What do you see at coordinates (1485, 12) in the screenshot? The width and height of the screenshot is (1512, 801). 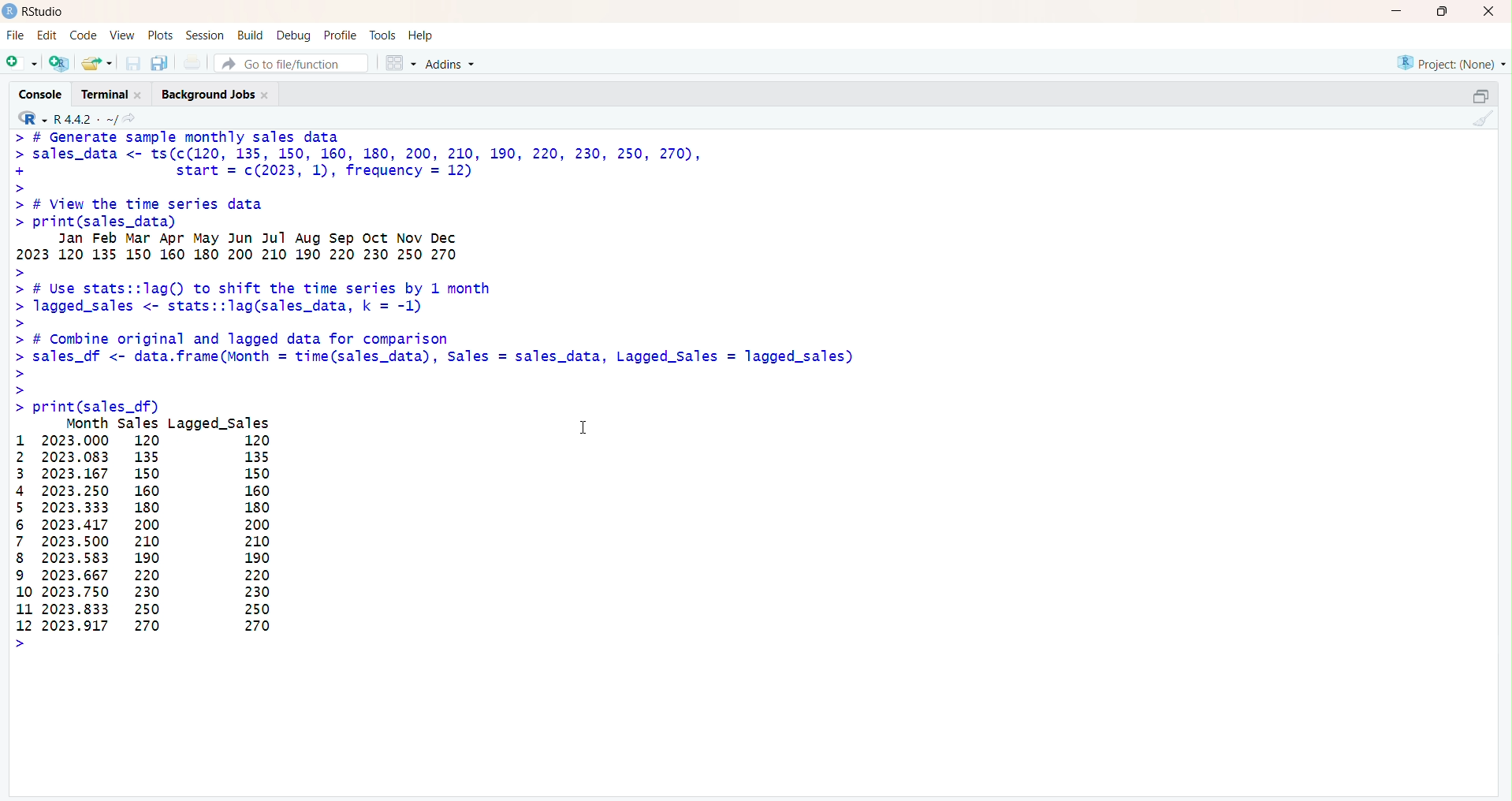 I see `close` at bounding box center [1485, 12].